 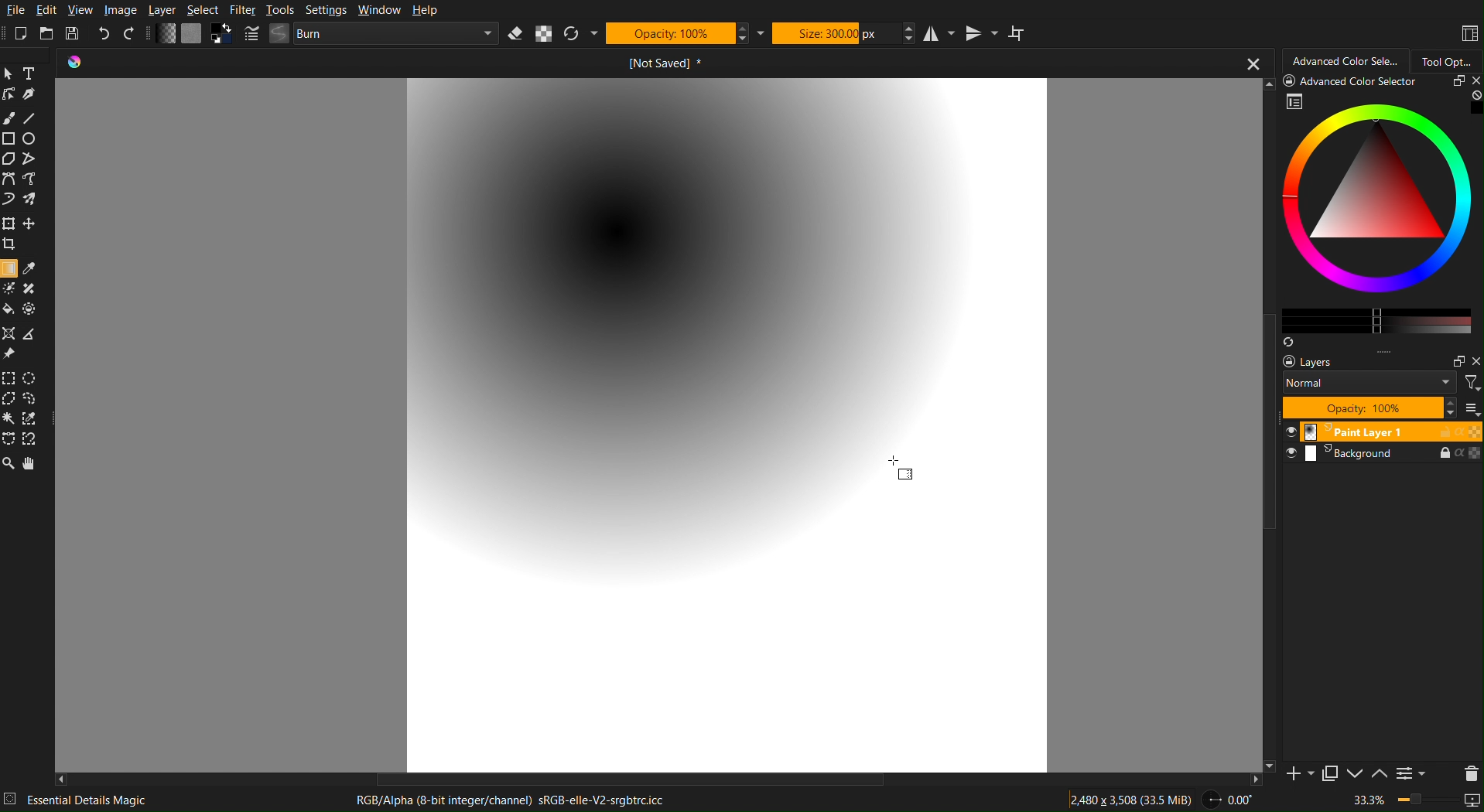 What do you see at coordinates (1373, 210) in the screenshot?
I see `Advanced Color Selector` at bounding box center [1373, 210].